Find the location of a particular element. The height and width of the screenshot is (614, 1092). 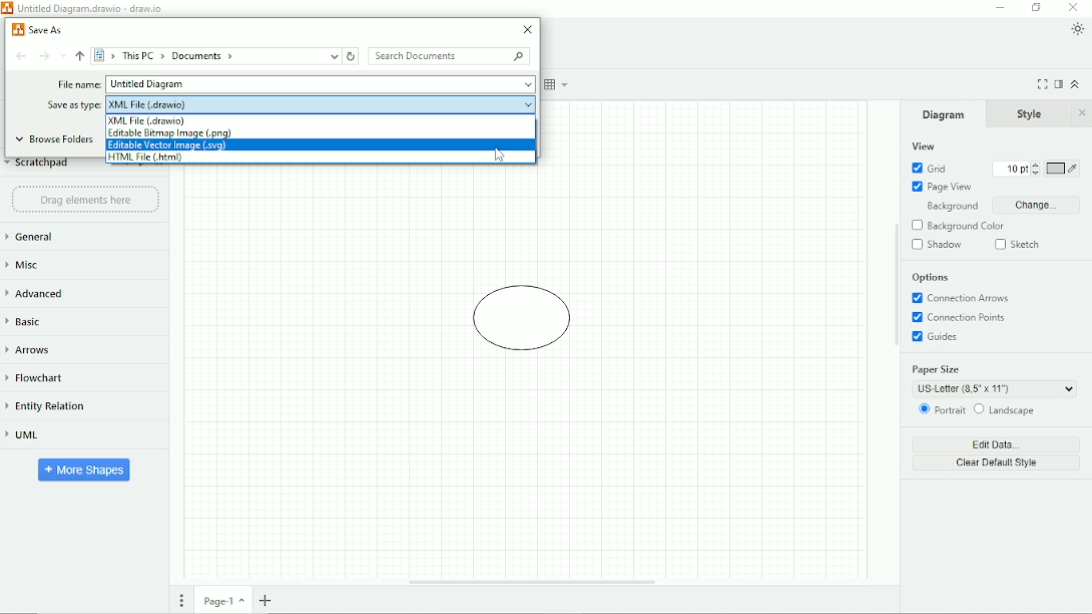

Entity Relation is located at coordinates (46, 406).